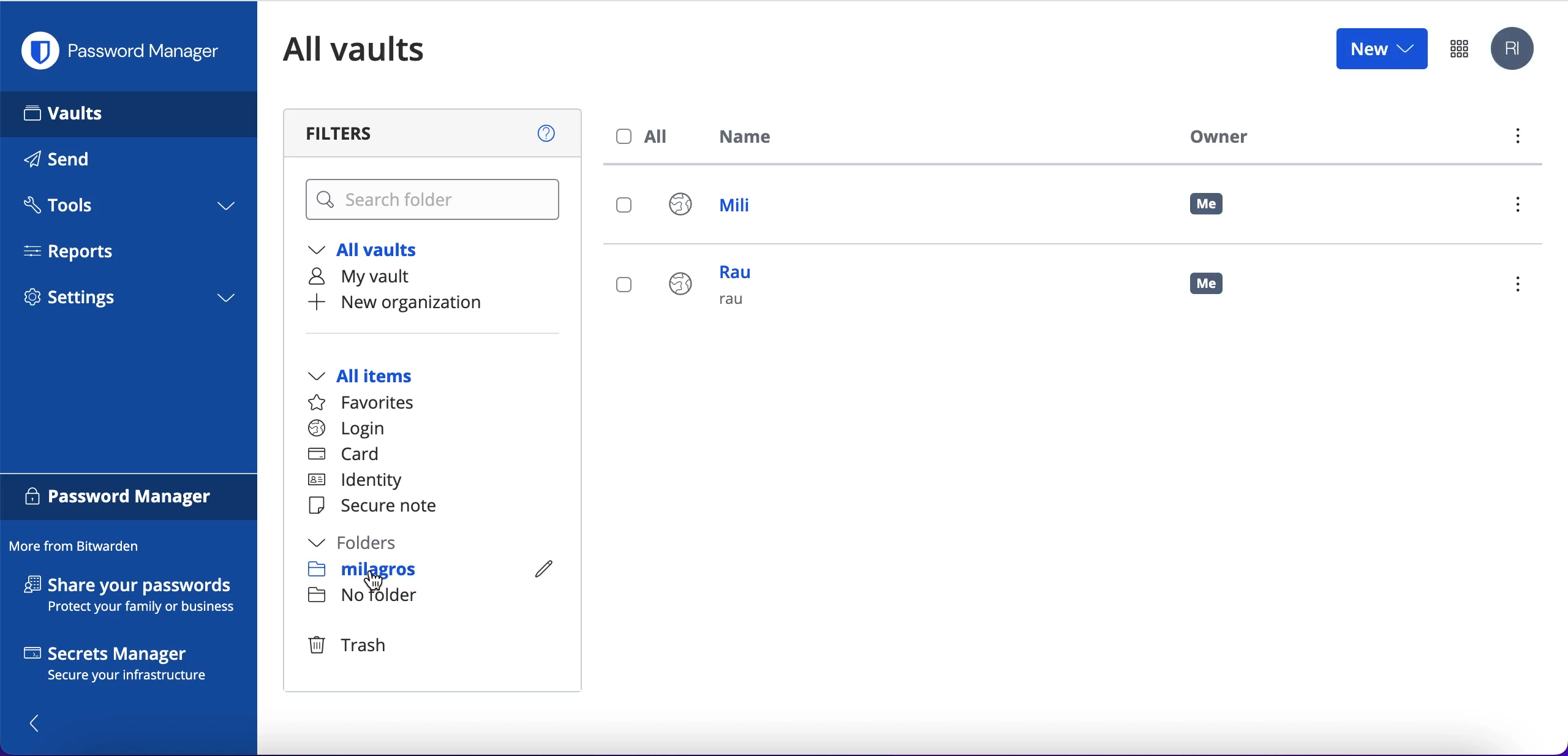 Image resolution: width=1568 pixels, height=756 pixels. Describe the element at coordinates (753, 139) in the screenshot. I see `name` at that location.